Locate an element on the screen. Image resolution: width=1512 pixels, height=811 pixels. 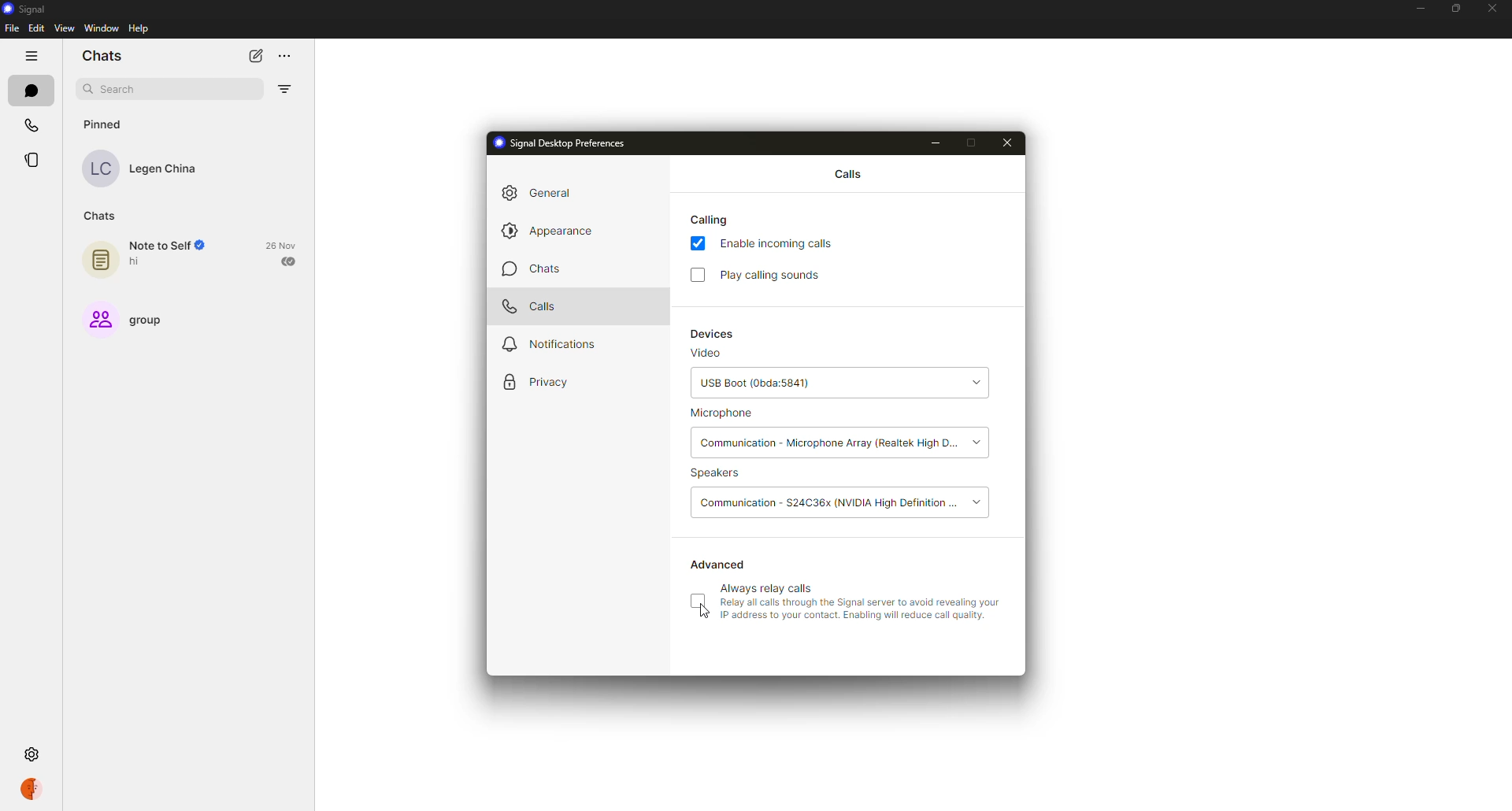
pinned is located at coordinates (105, 124).